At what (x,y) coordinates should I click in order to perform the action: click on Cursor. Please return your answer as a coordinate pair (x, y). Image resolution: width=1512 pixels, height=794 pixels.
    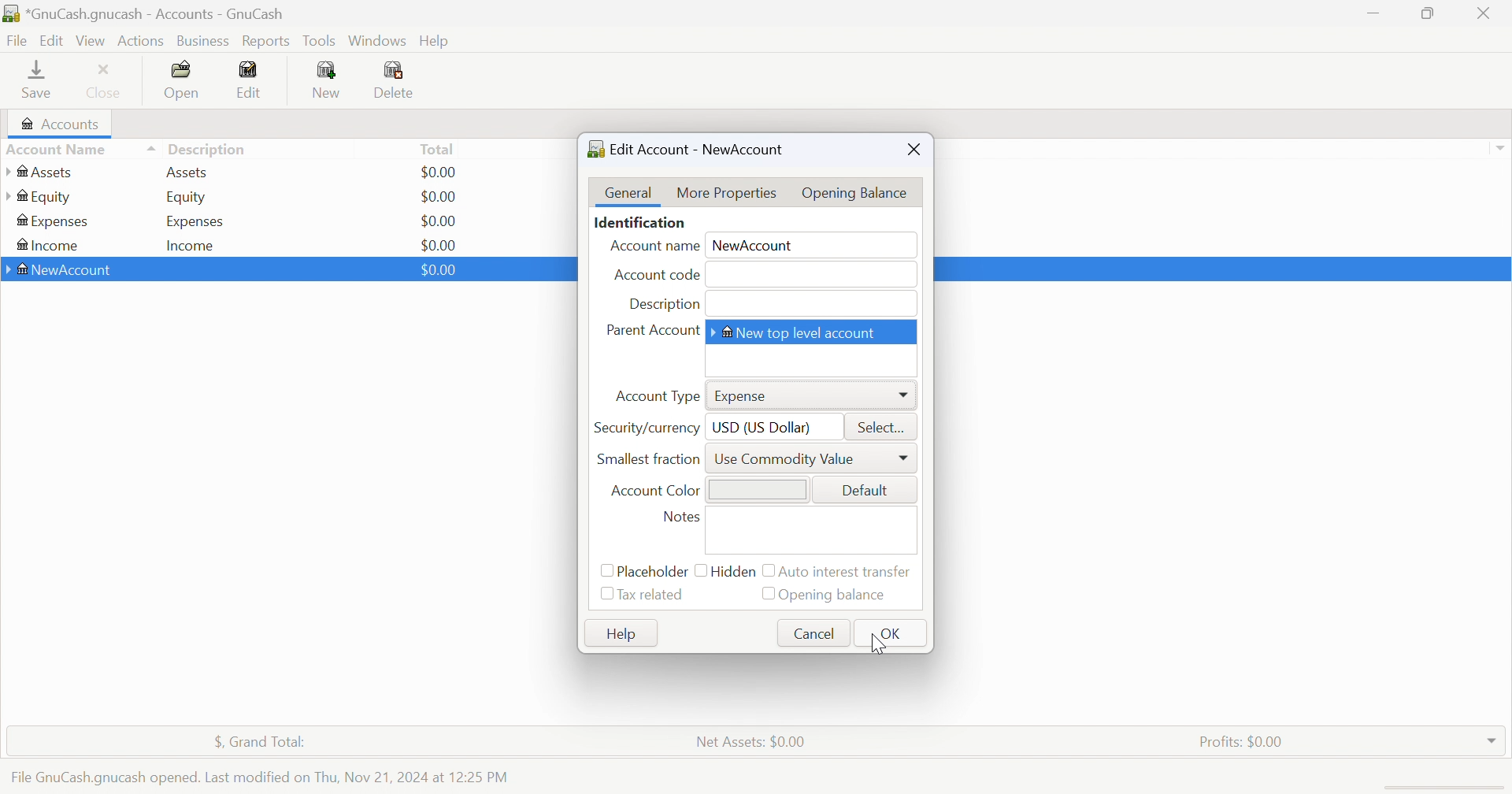
    Looking at the image, I should click on (873, 642).